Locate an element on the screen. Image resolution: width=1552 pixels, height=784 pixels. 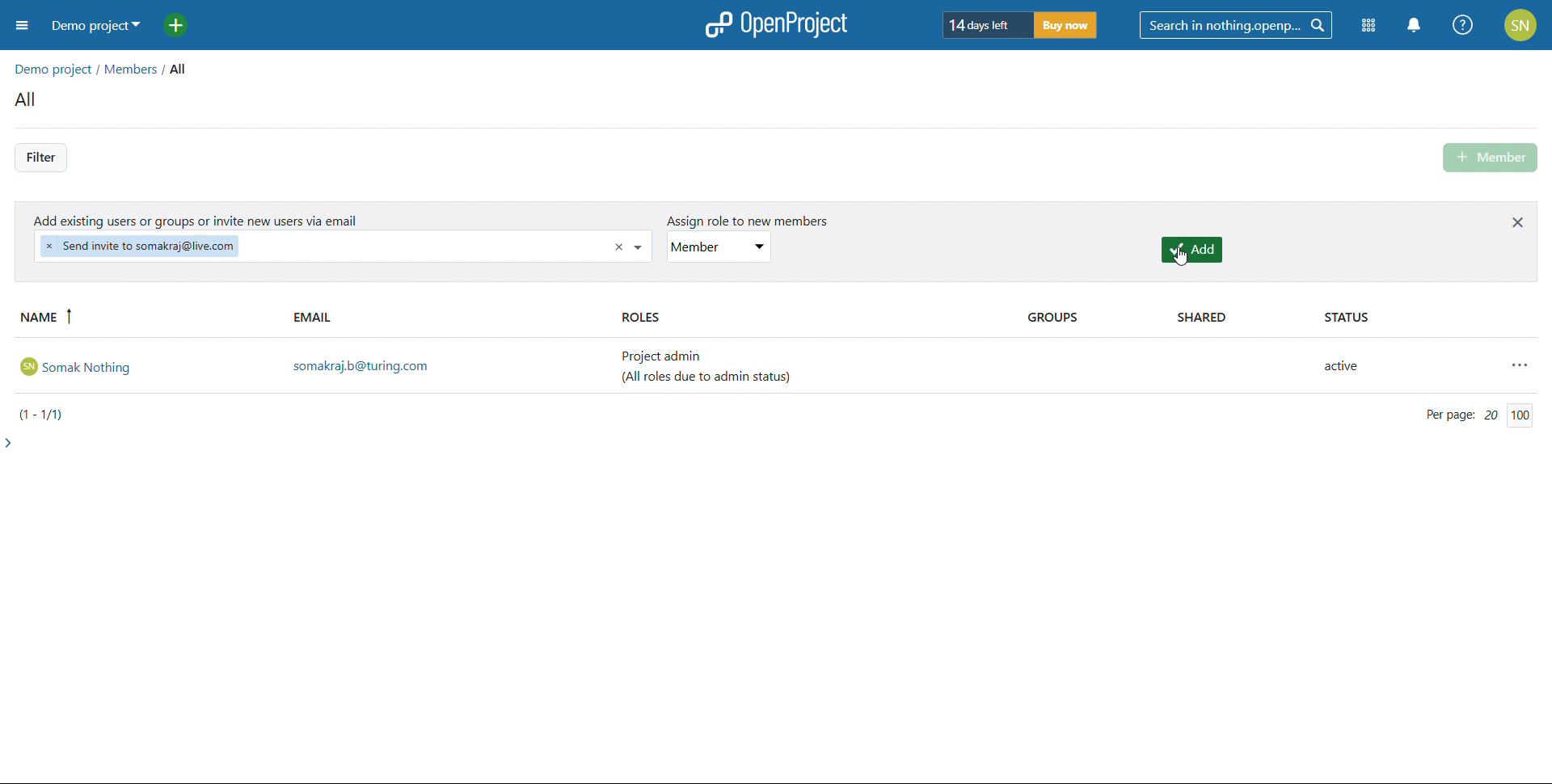
add member is located at coordinates (1492, 158).